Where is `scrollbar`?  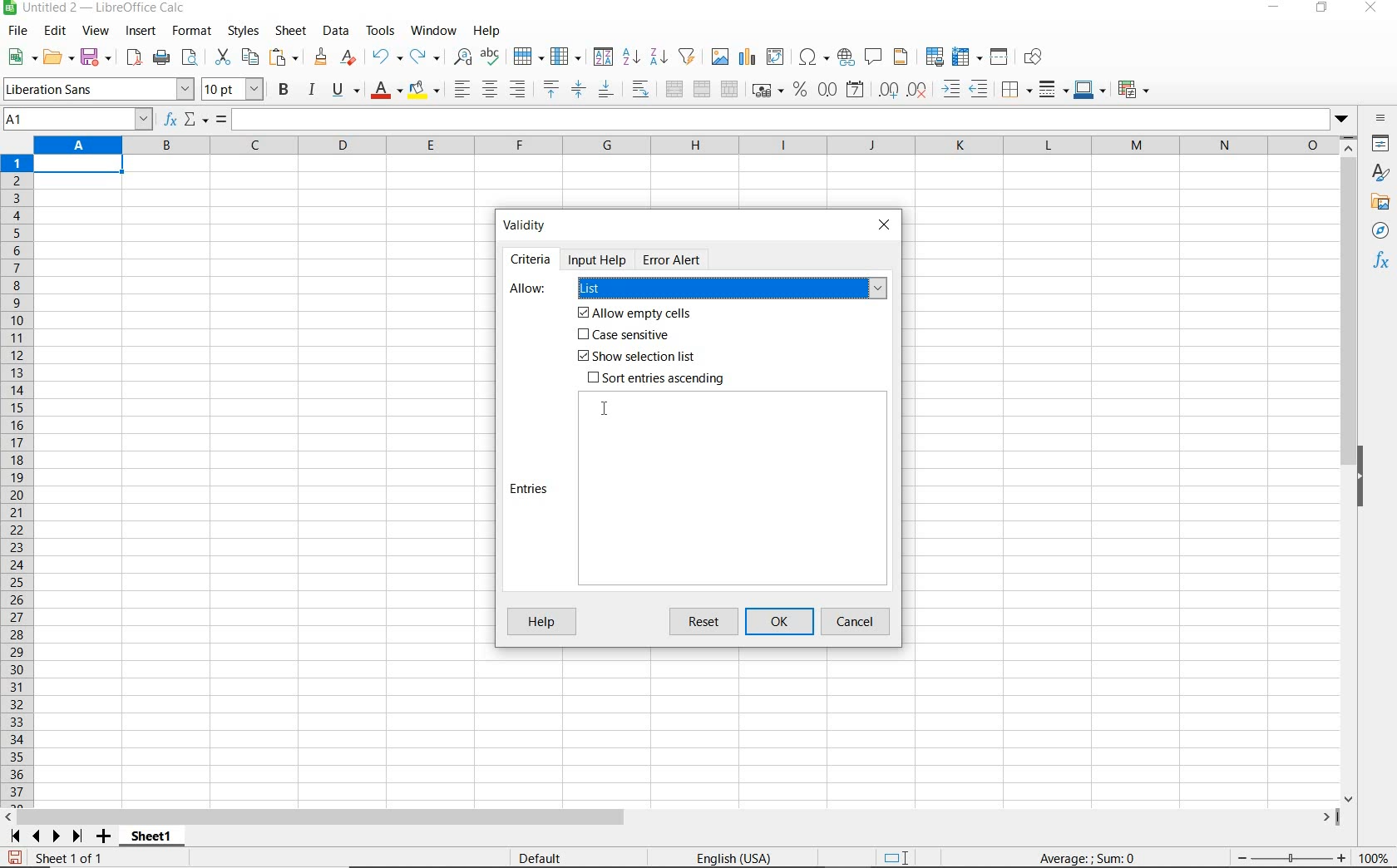
scrollbar is located at coordinates (671, 817).